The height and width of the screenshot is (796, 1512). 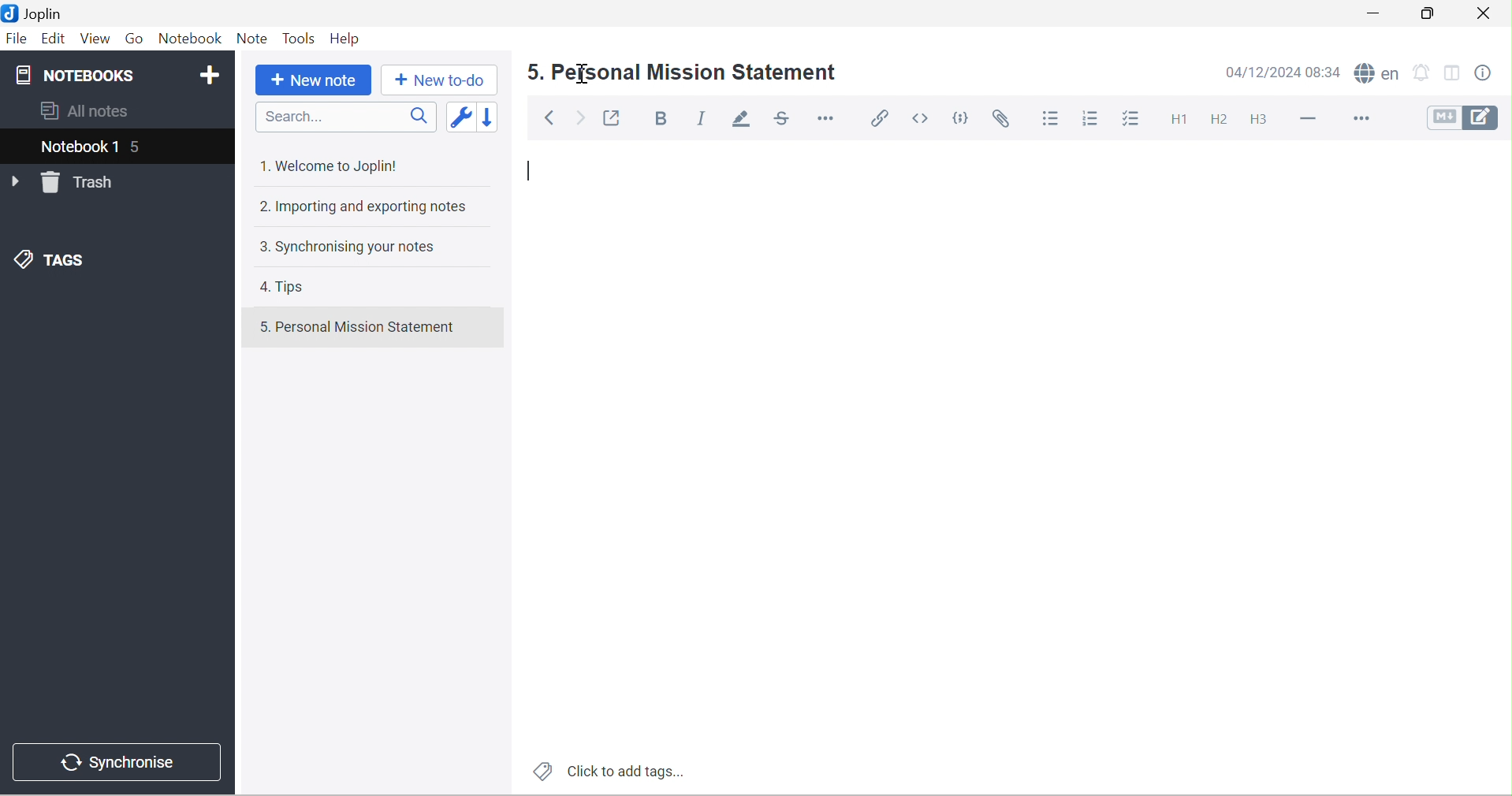 What do you see at coordinates (1423, 74) in the screenshot?
I see `Set alarm` at bounding box center [1423, 74].